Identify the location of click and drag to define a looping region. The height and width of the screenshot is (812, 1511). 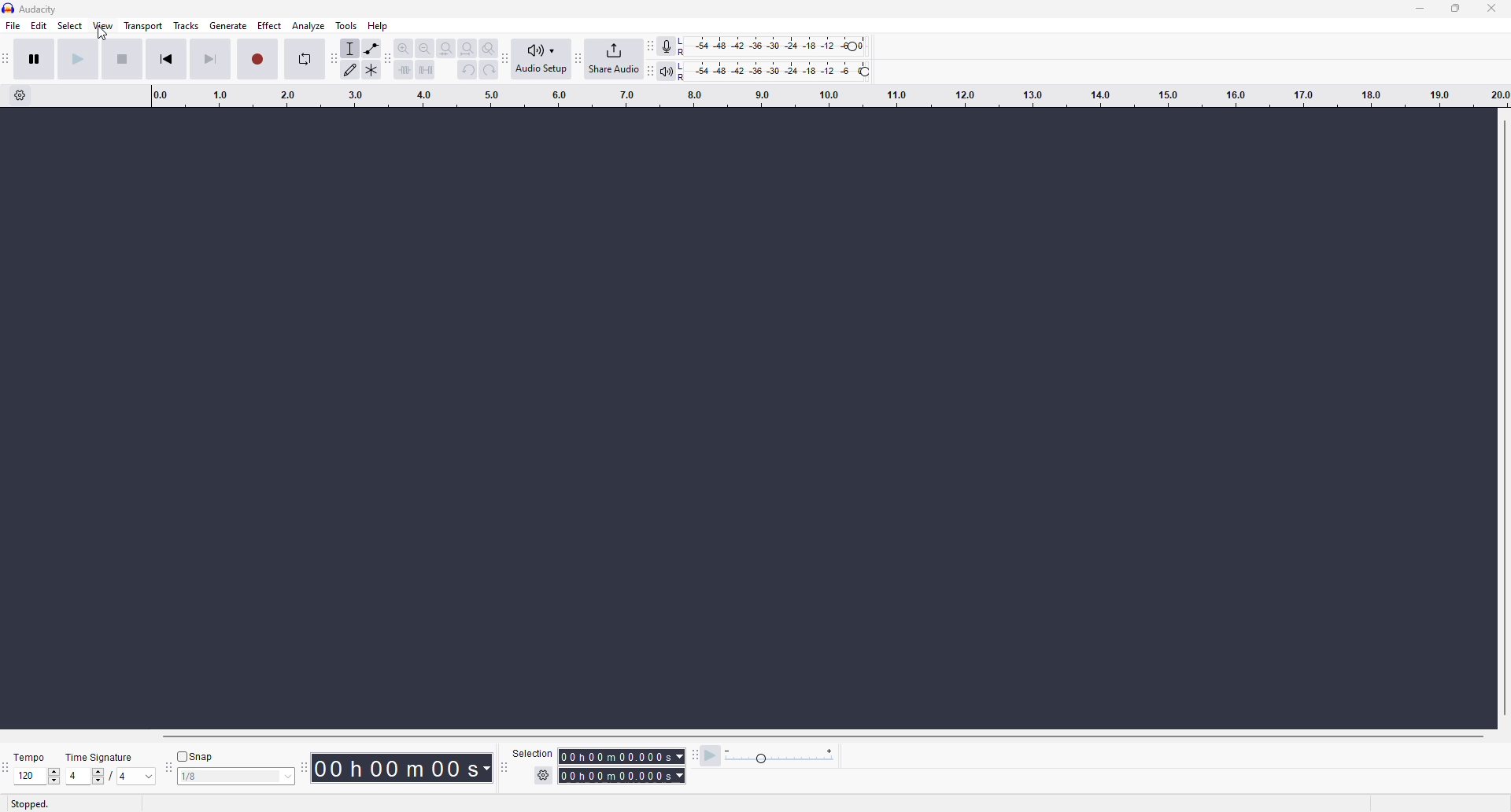
(829, 98).